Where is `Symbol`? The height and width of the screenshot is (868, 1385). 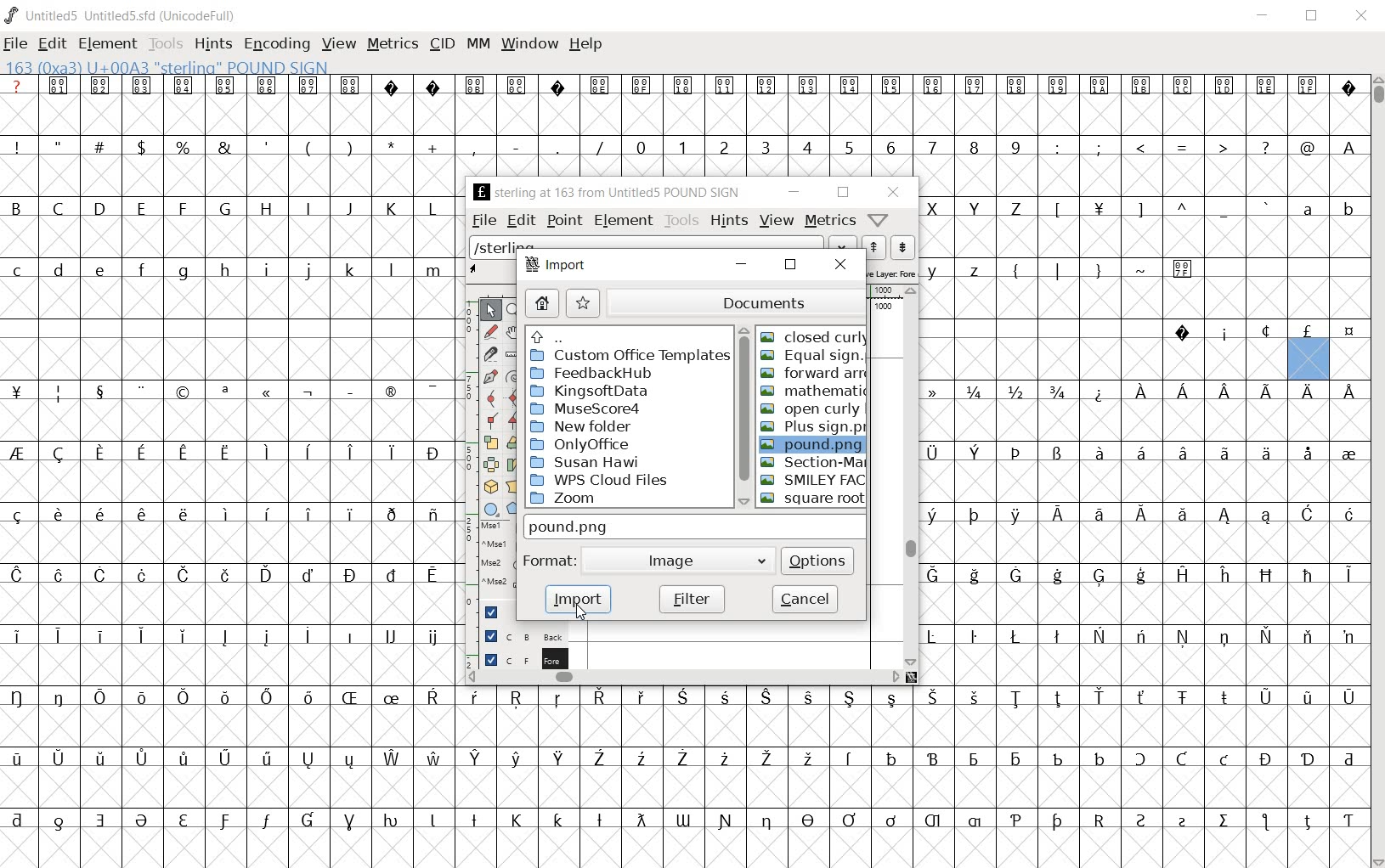 Symbol is located at coordinates (266, 823).